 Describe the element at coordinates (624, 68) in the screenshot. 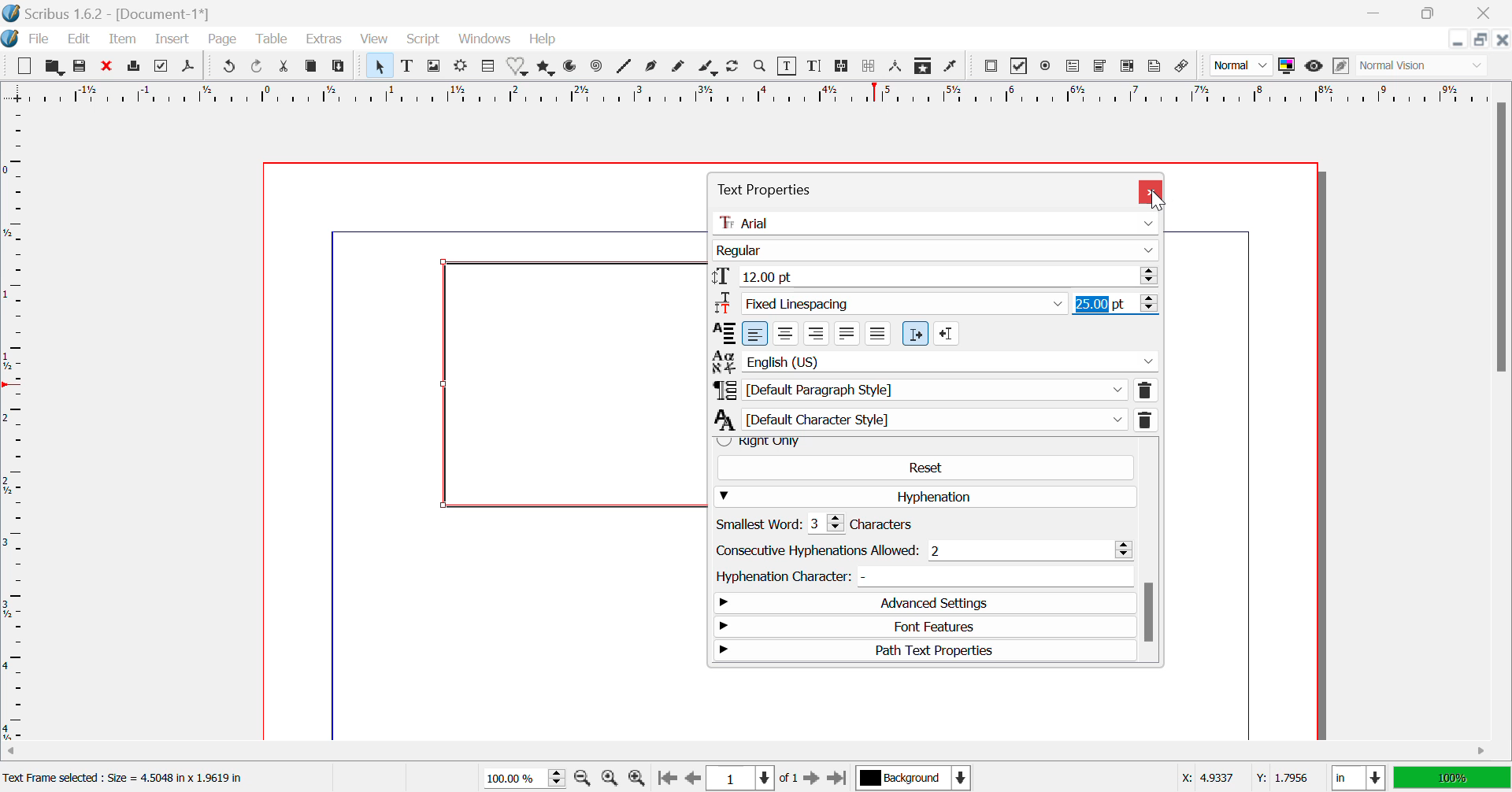

I see `Lines` at that location.